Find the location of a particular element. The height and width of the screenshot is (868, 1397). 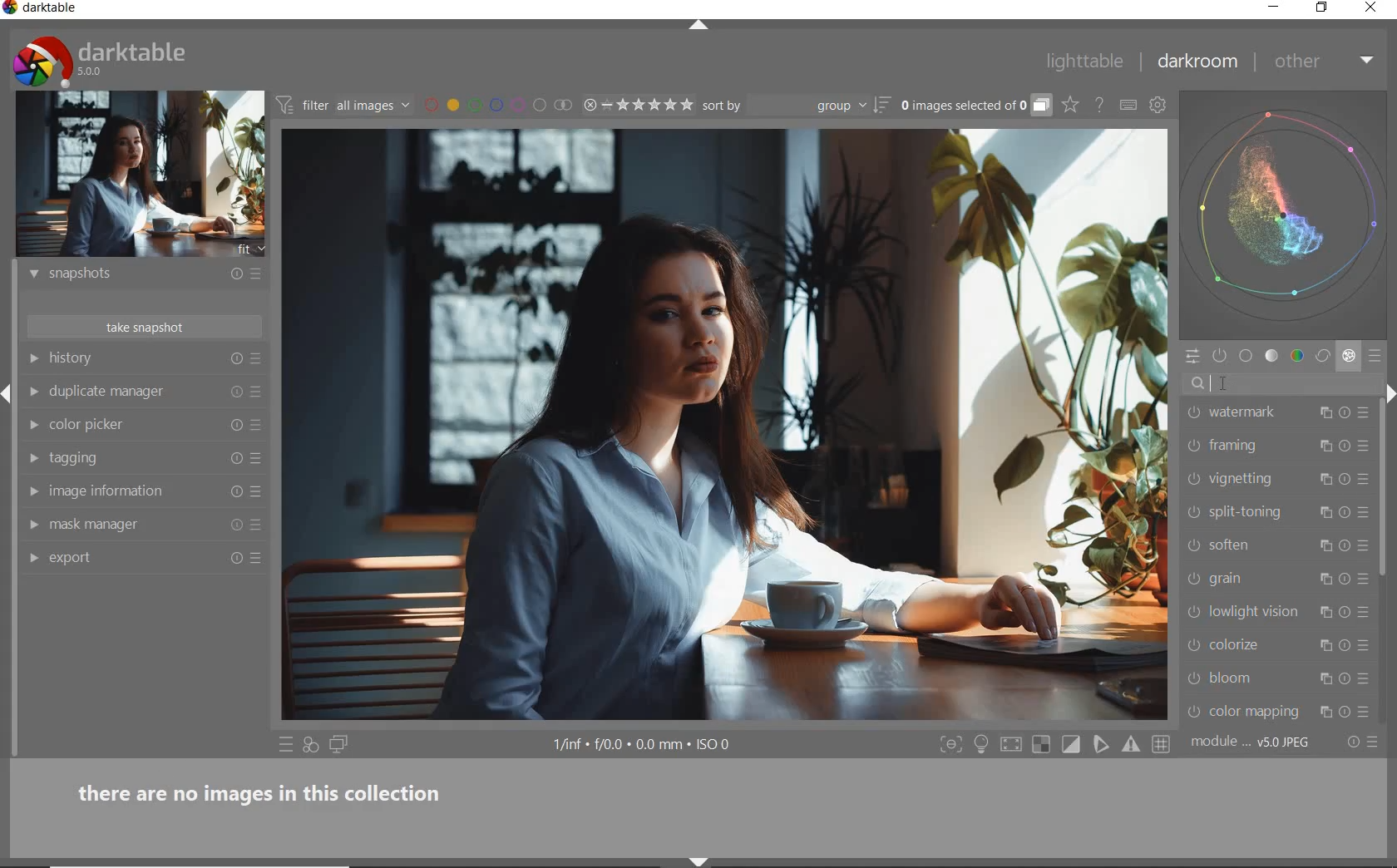

preset and preferences is located at coordinates (1365, 482).